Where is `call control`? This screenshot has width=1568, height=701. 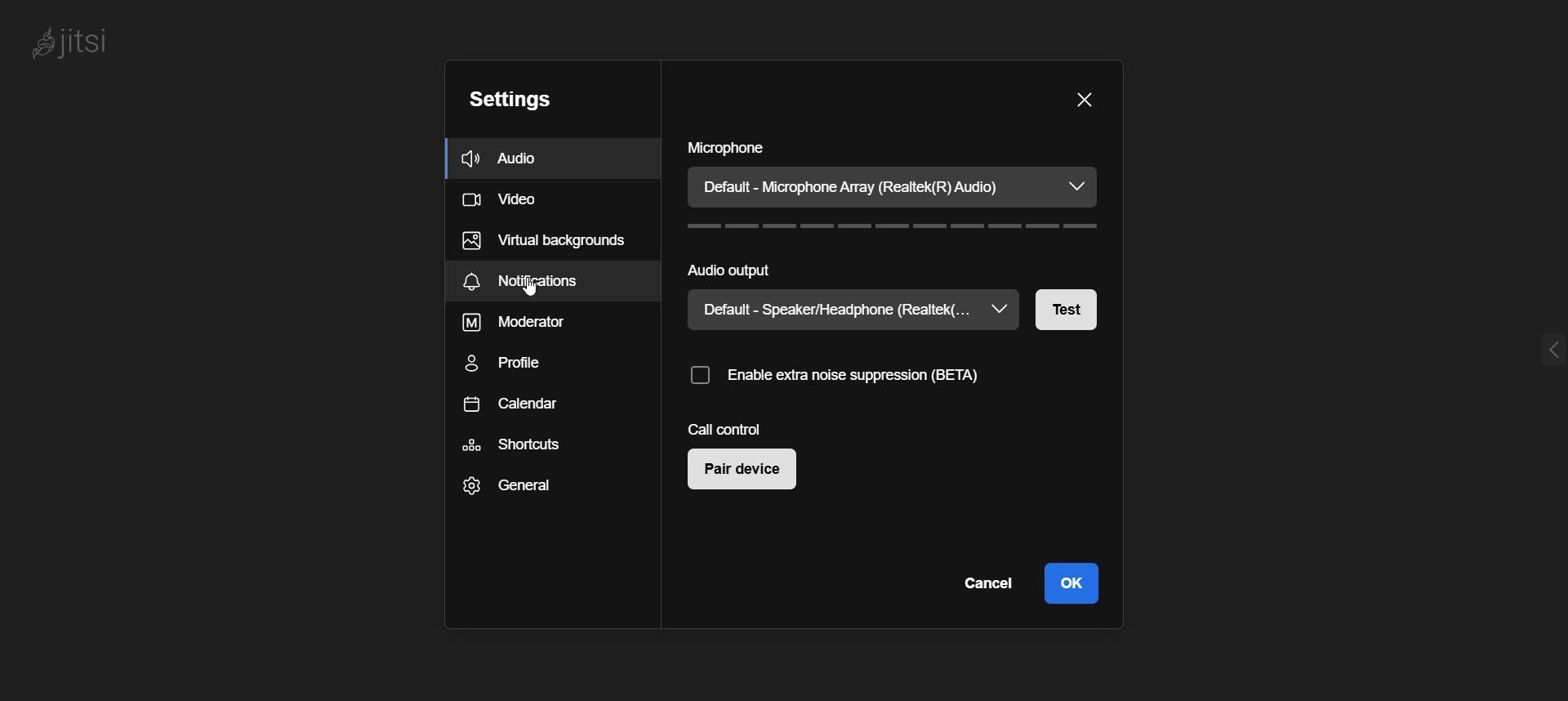
call control is located at coordinates (728, 428).